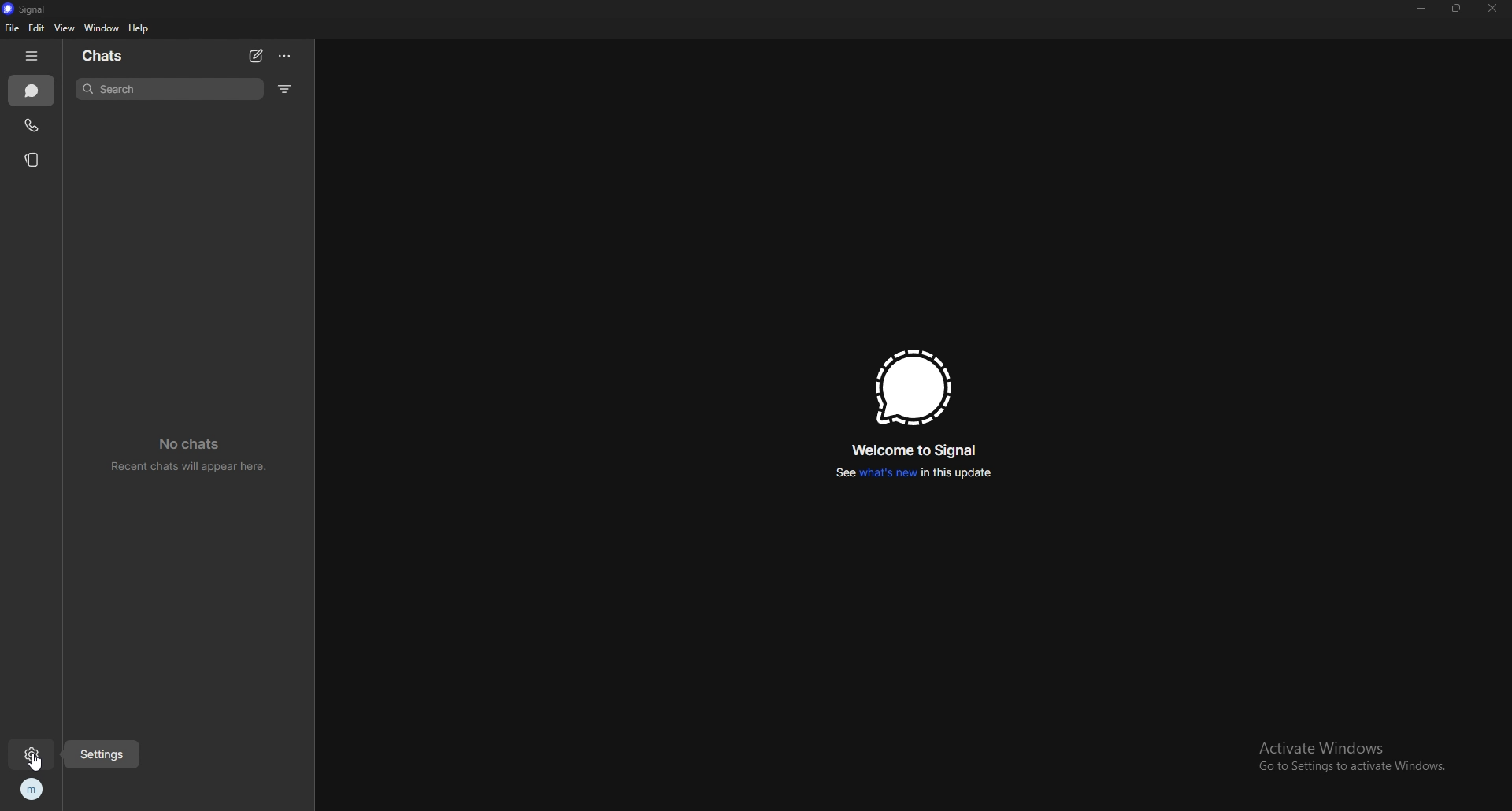 The width and height of the screenshot is (1512, 811). Describe the element at coordinates (914, 472) in the screenshot. I see `see what's new in this update` at that location.